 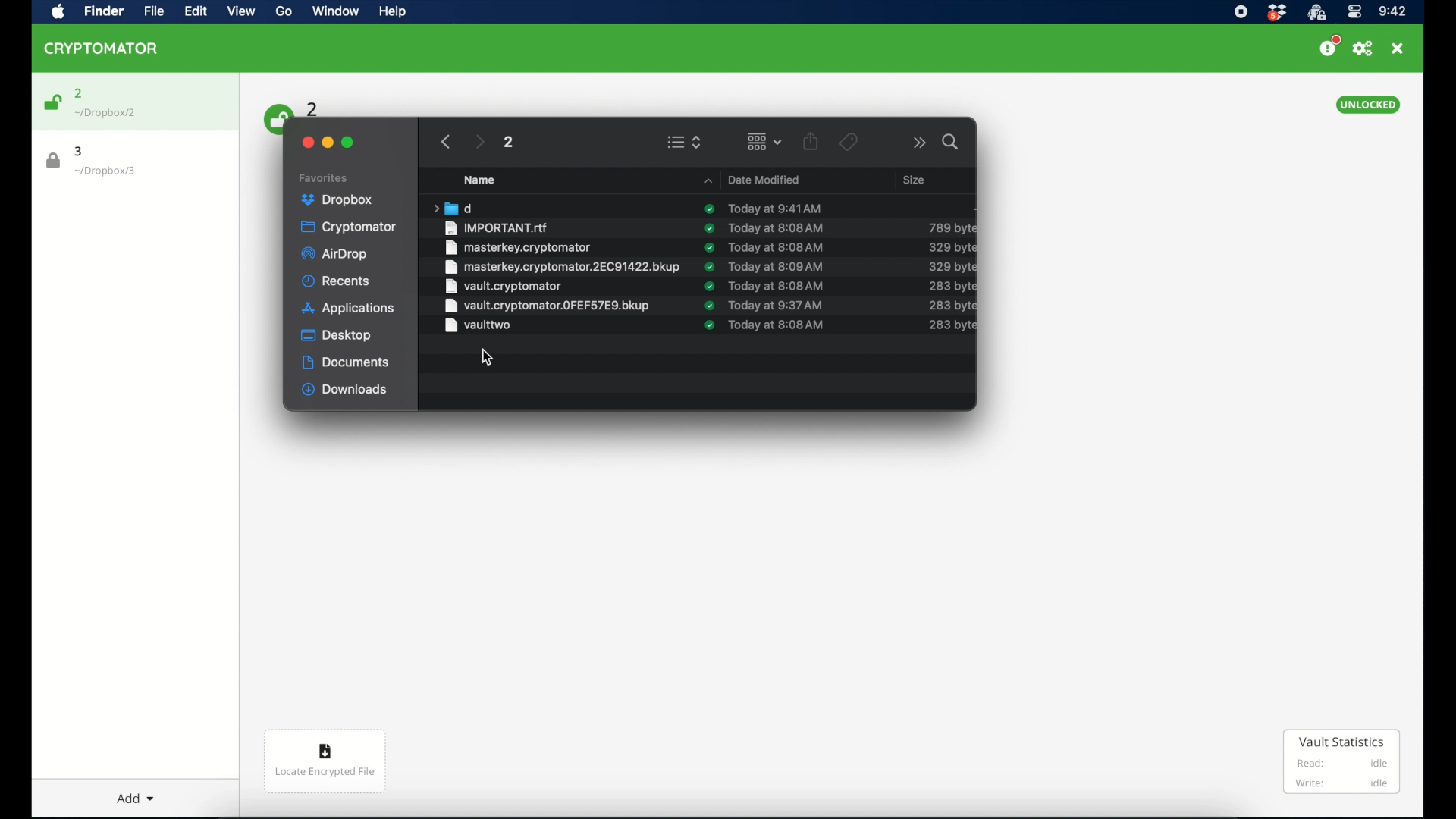 What do you see at coordinates (920, 143) in the screenshot?
I see `more options` at bounding box center [920, 143].